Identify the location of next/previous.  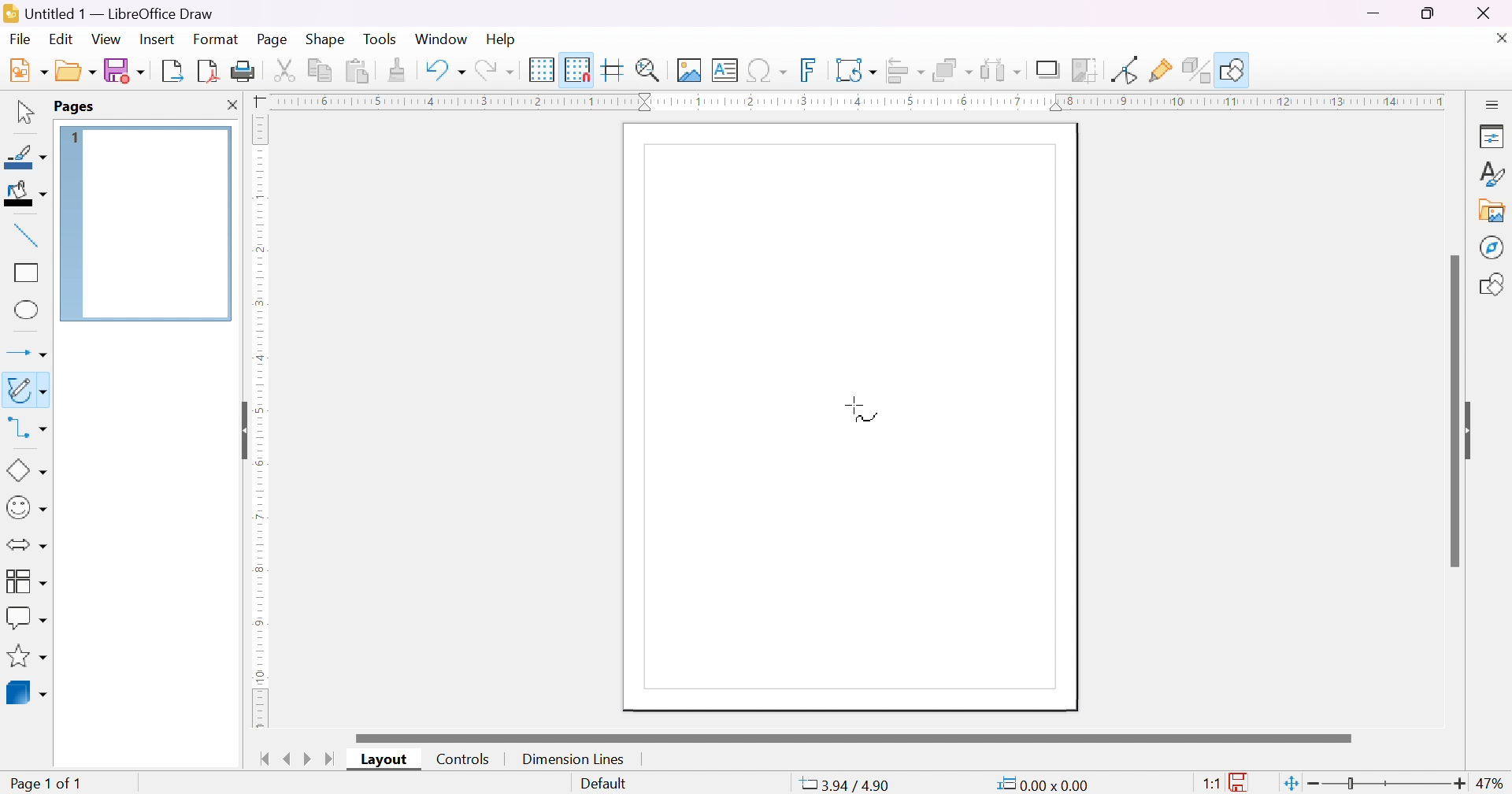
(298, 759).